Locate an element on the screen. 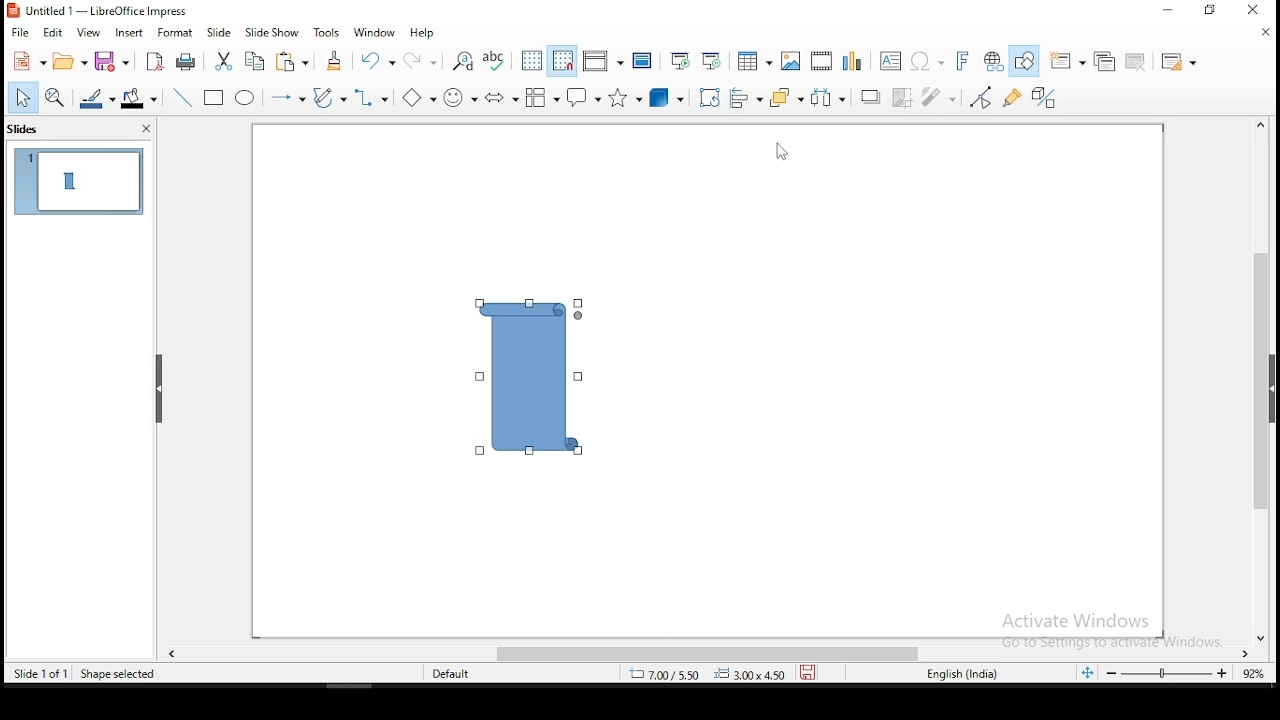 Image resolution: width=1280 pixels, height=720 pixels. find and replace is located at coordinates (464, 61).